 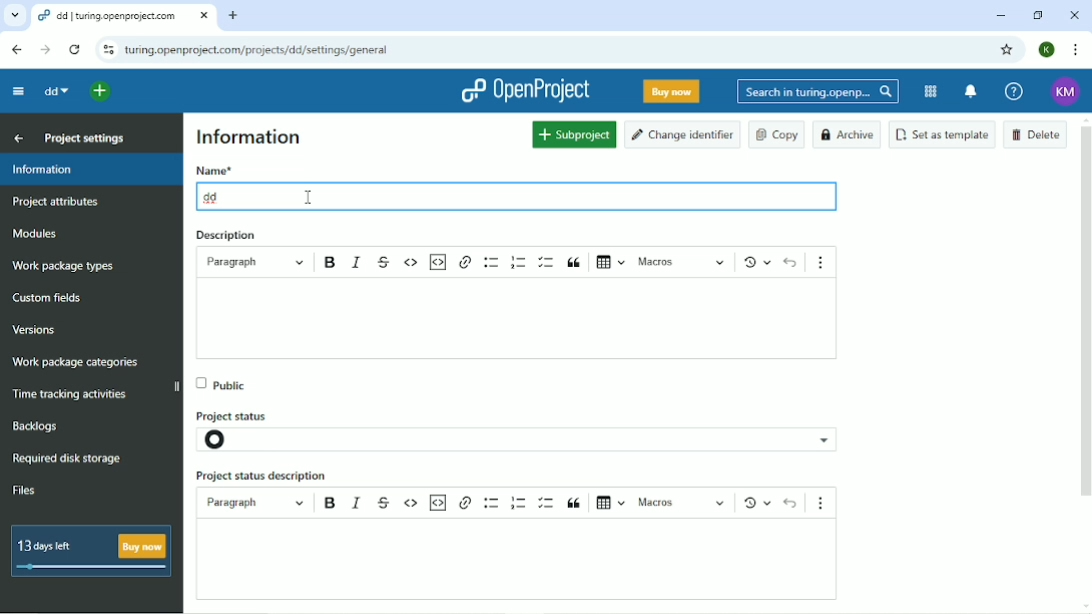 What do you see at coordinates (825, 258) in the screenshot?
I see `Show more items` at bounding box center [825, 258].